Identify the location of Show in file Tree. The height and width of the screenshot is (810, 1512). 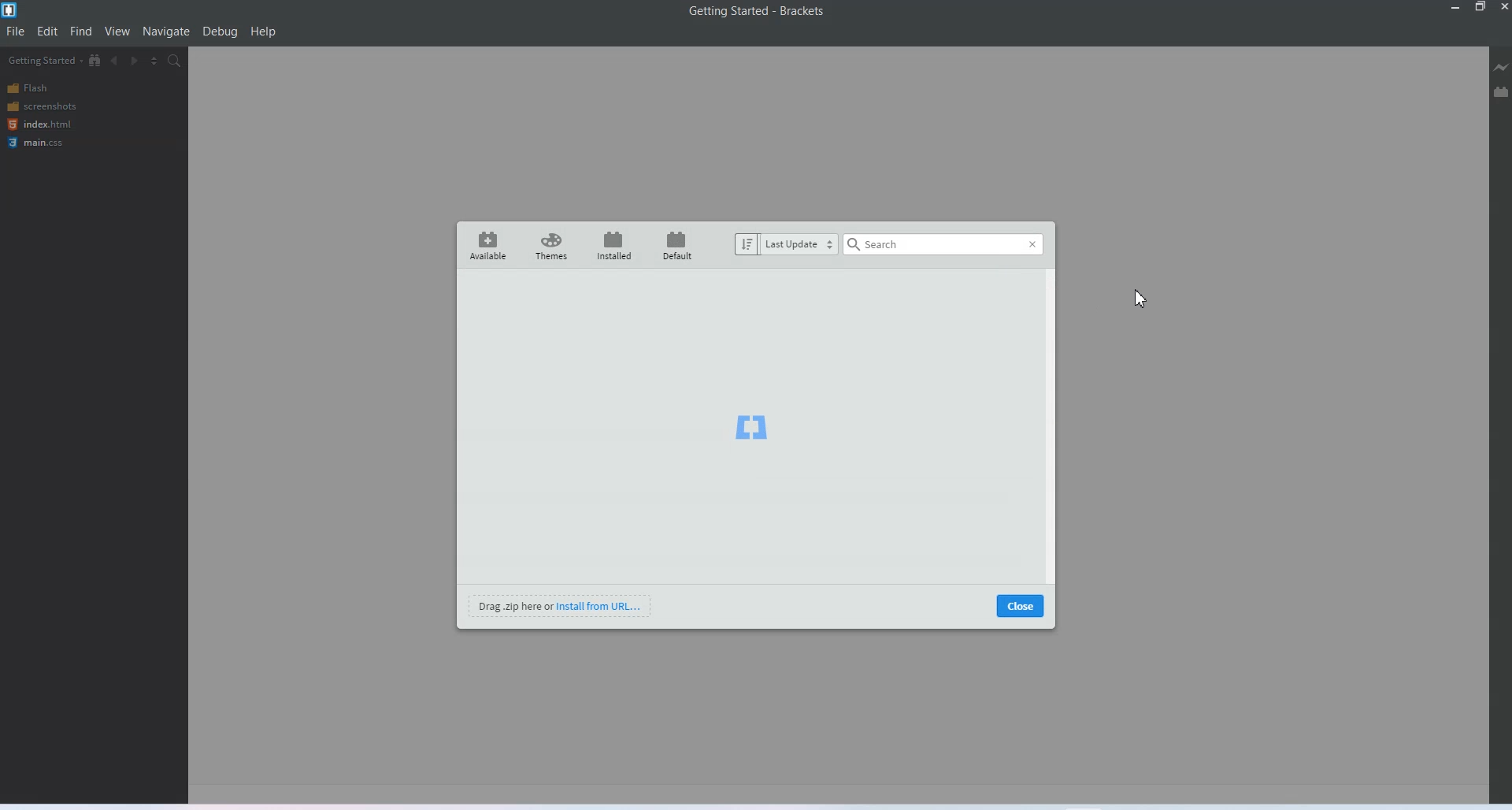
(96, 61).